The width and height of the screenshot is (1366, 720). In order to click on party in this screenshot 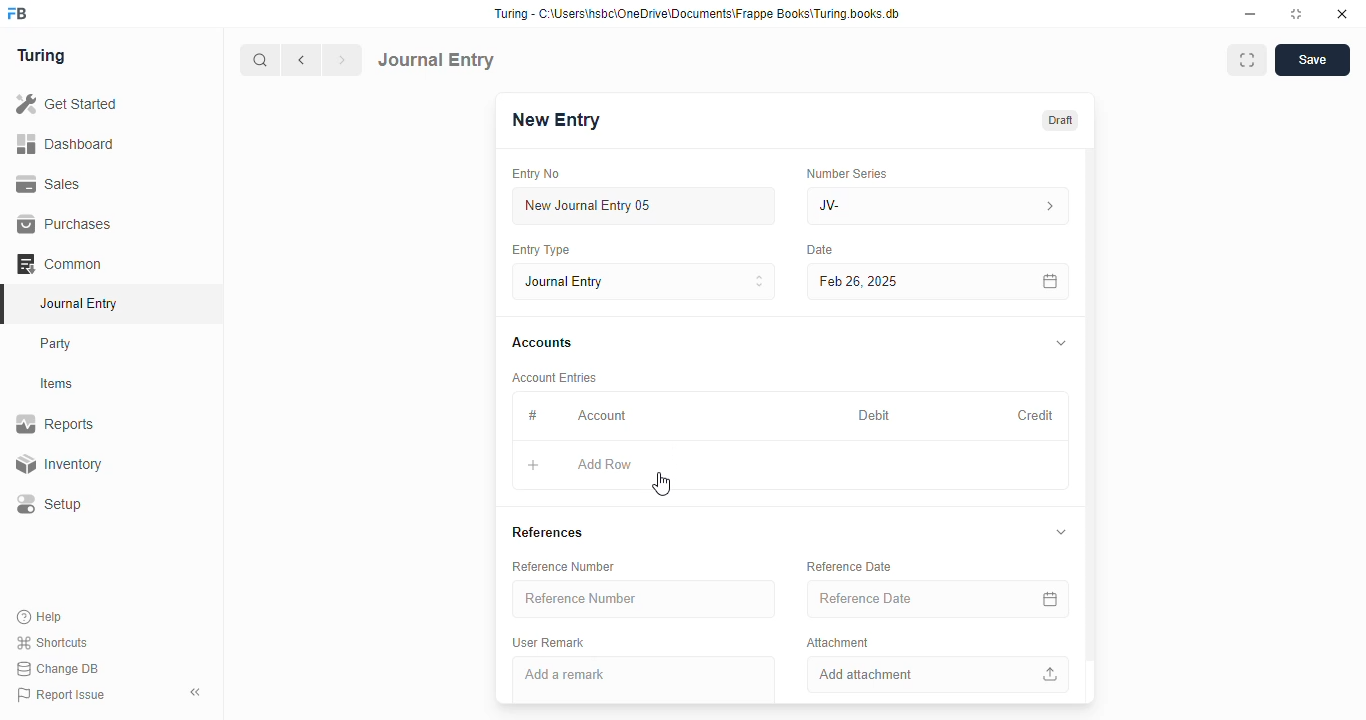, I will do `click(58, 344)`.